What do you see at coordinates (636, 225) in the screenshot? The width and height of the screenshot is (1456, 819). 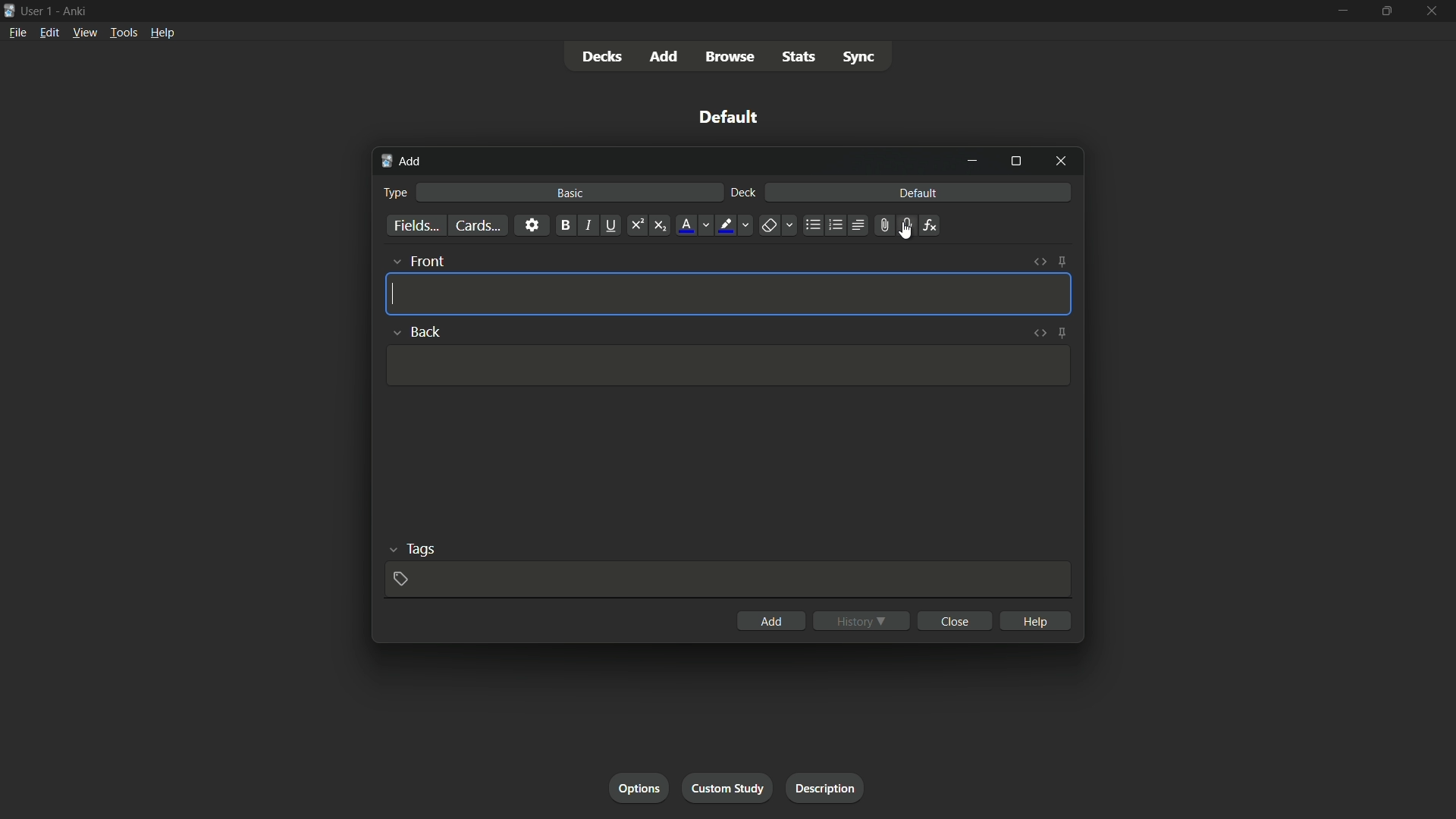 I see `superscript` at bounding box center [636, 225].